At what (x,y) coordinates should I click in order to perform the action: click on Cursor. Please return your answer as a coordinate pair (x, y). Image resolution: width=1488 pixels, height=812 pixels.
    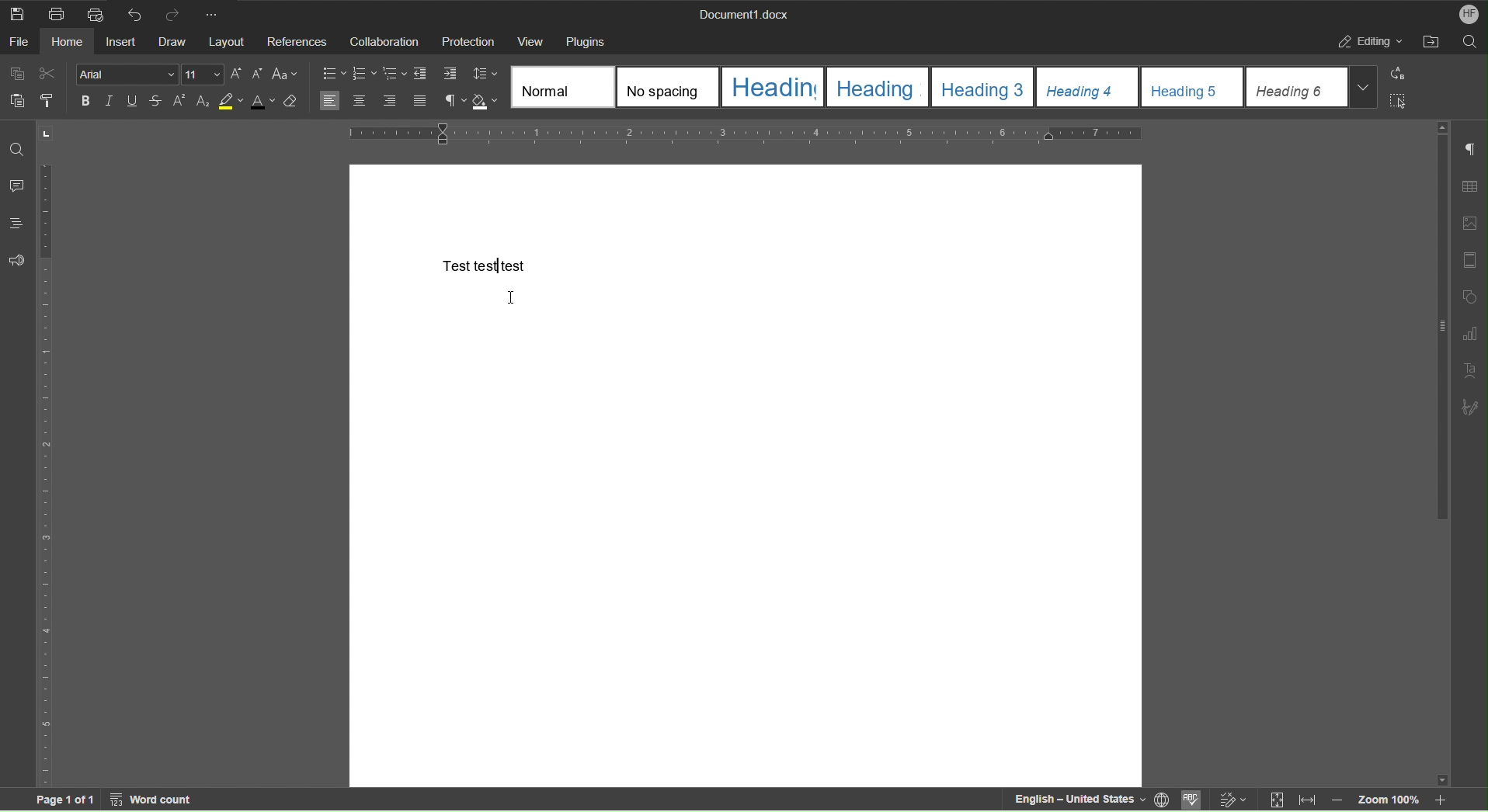
    Looking at the image, I should click on (510, 298).